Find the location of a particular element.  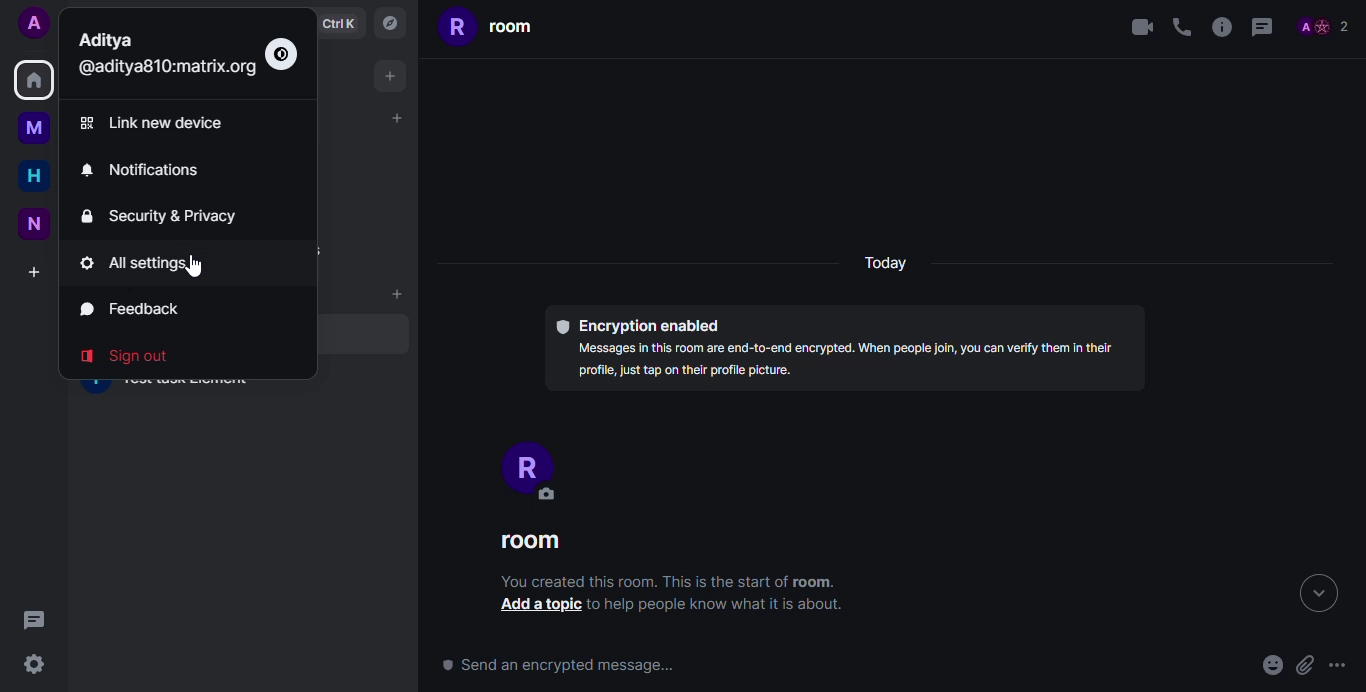

voice call is located at coordinates (1182, 26).